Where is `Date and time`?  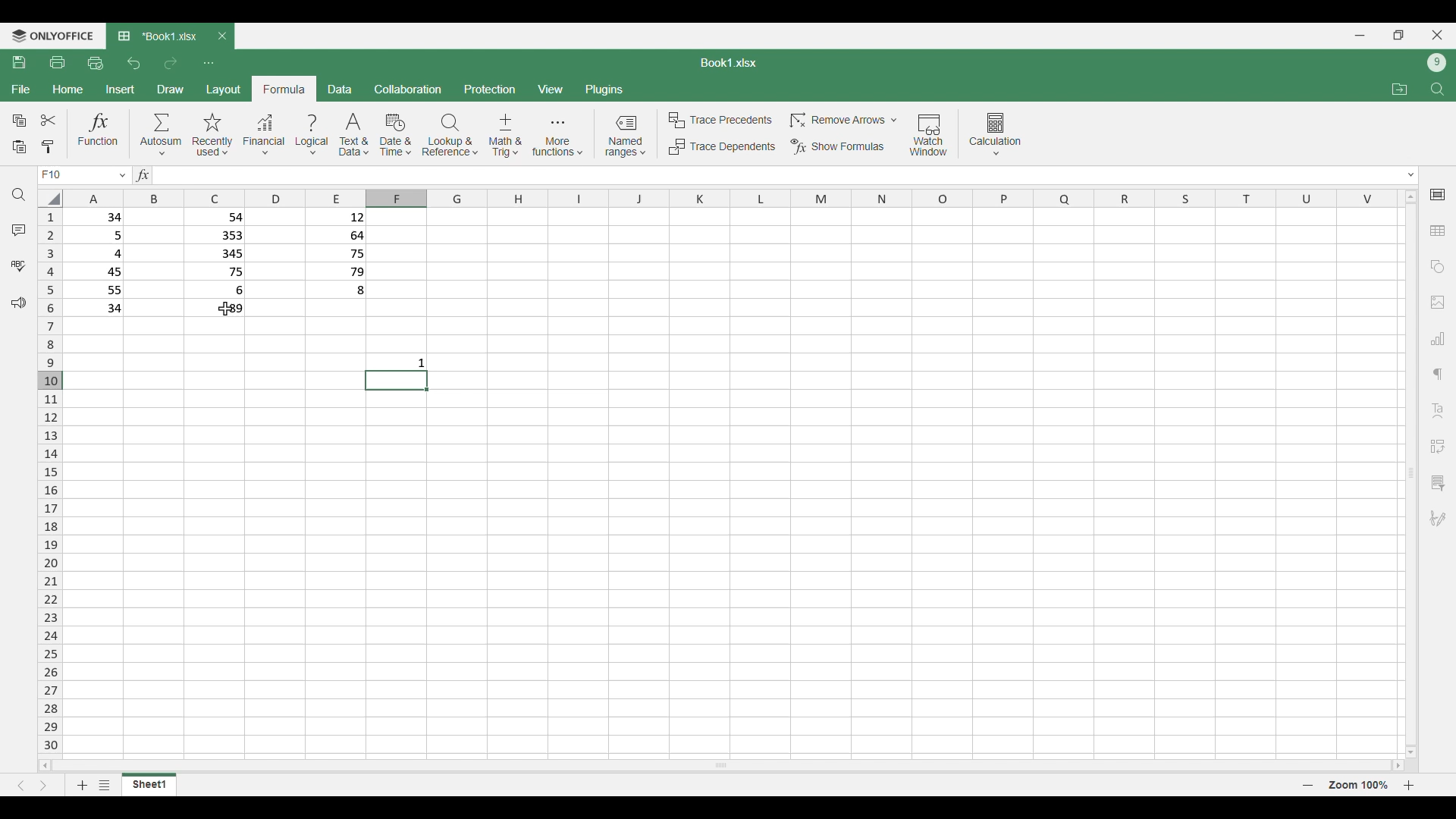
Date and time is located at coordinates (395, 135).